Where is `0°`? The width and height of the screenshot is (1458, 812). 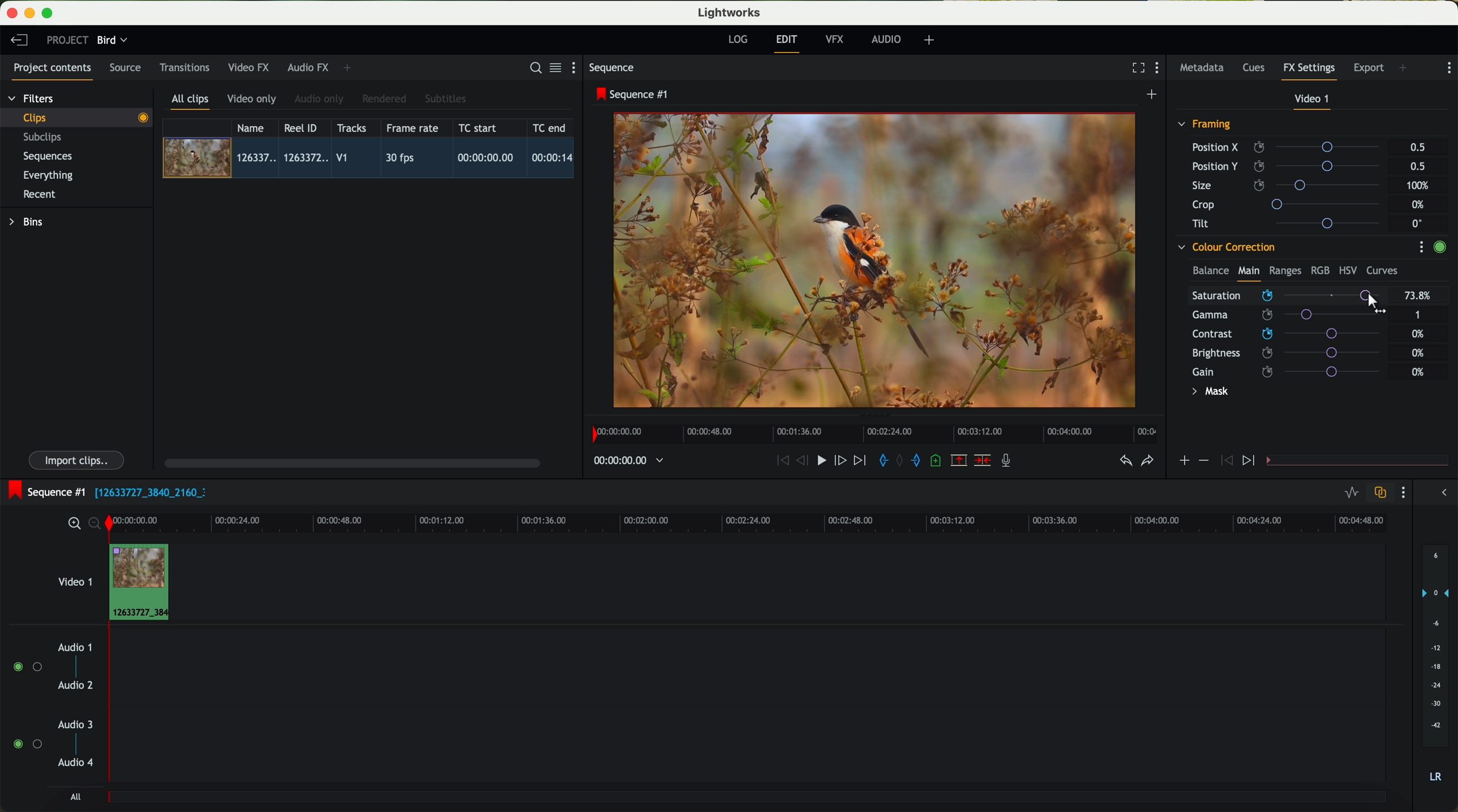 0° is located at coordinates (1418, 223).